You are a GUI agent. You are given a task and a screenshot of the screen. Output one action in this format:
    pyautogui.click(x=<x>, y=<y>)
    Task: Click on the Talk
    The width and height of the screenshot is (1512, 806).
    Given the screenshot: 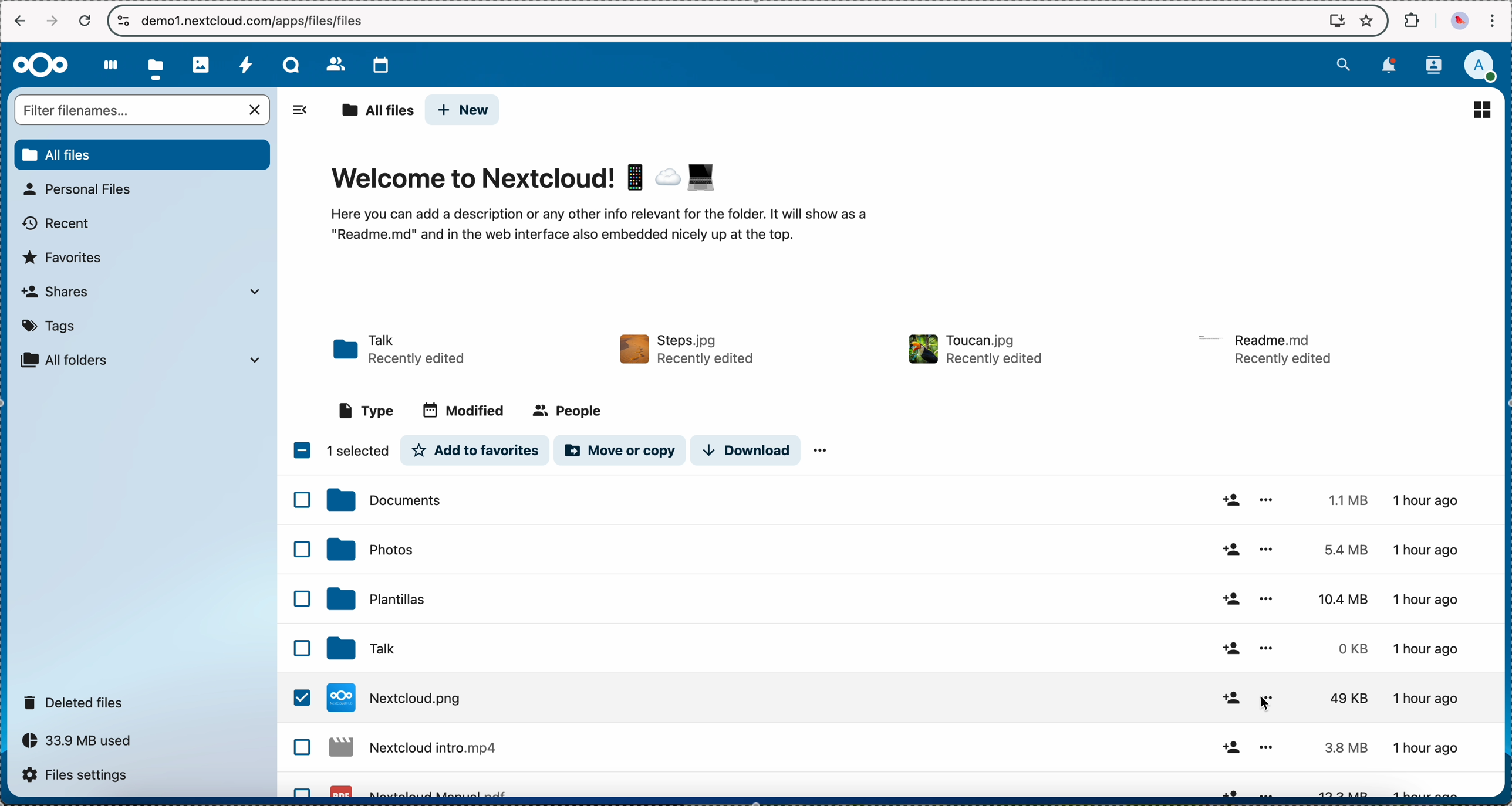 What is the action you would take?
    pyautogui.click(x=400, y=351)
    